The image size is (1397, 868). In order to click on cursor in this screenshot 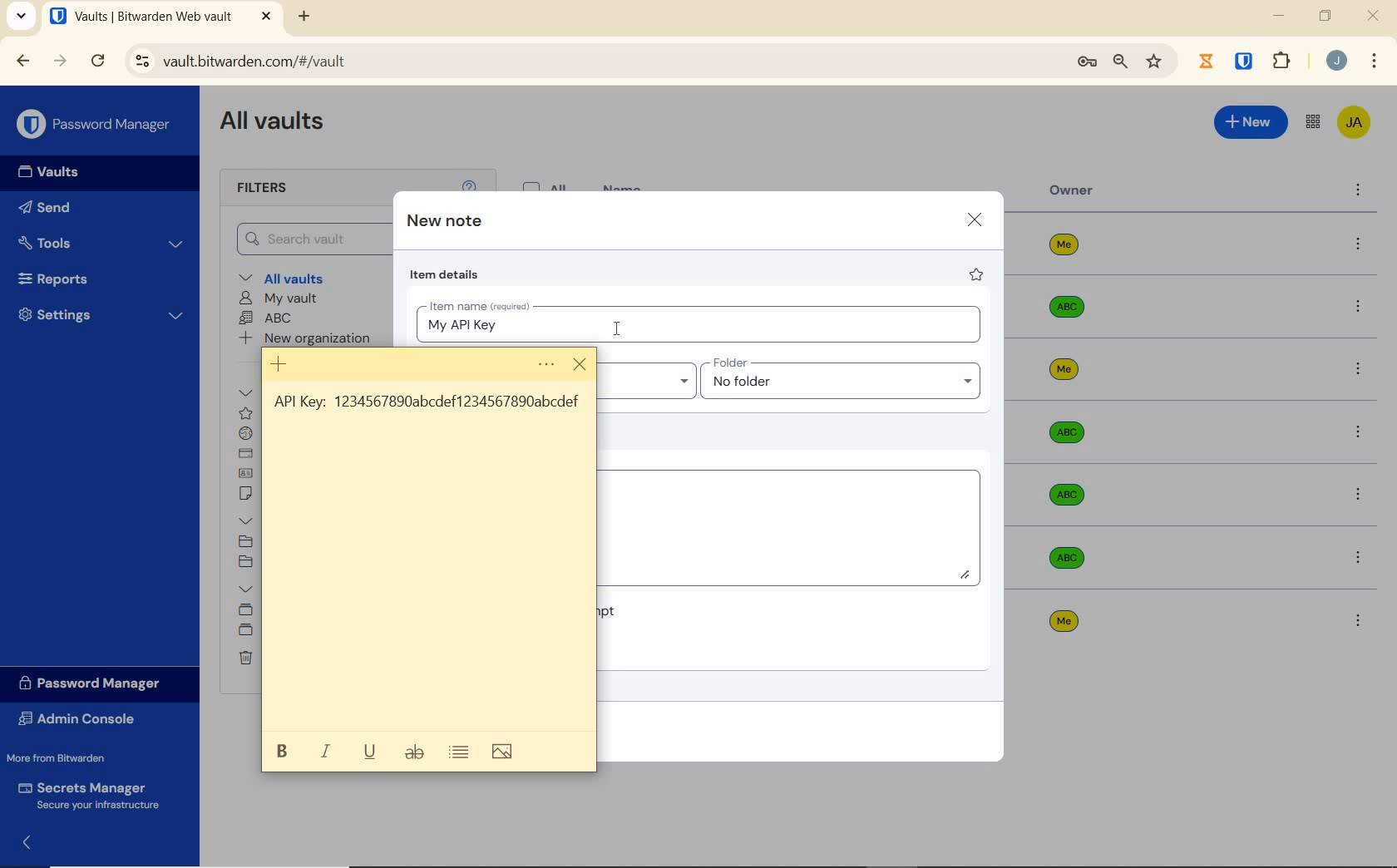, I will do `click(618, 328)`.